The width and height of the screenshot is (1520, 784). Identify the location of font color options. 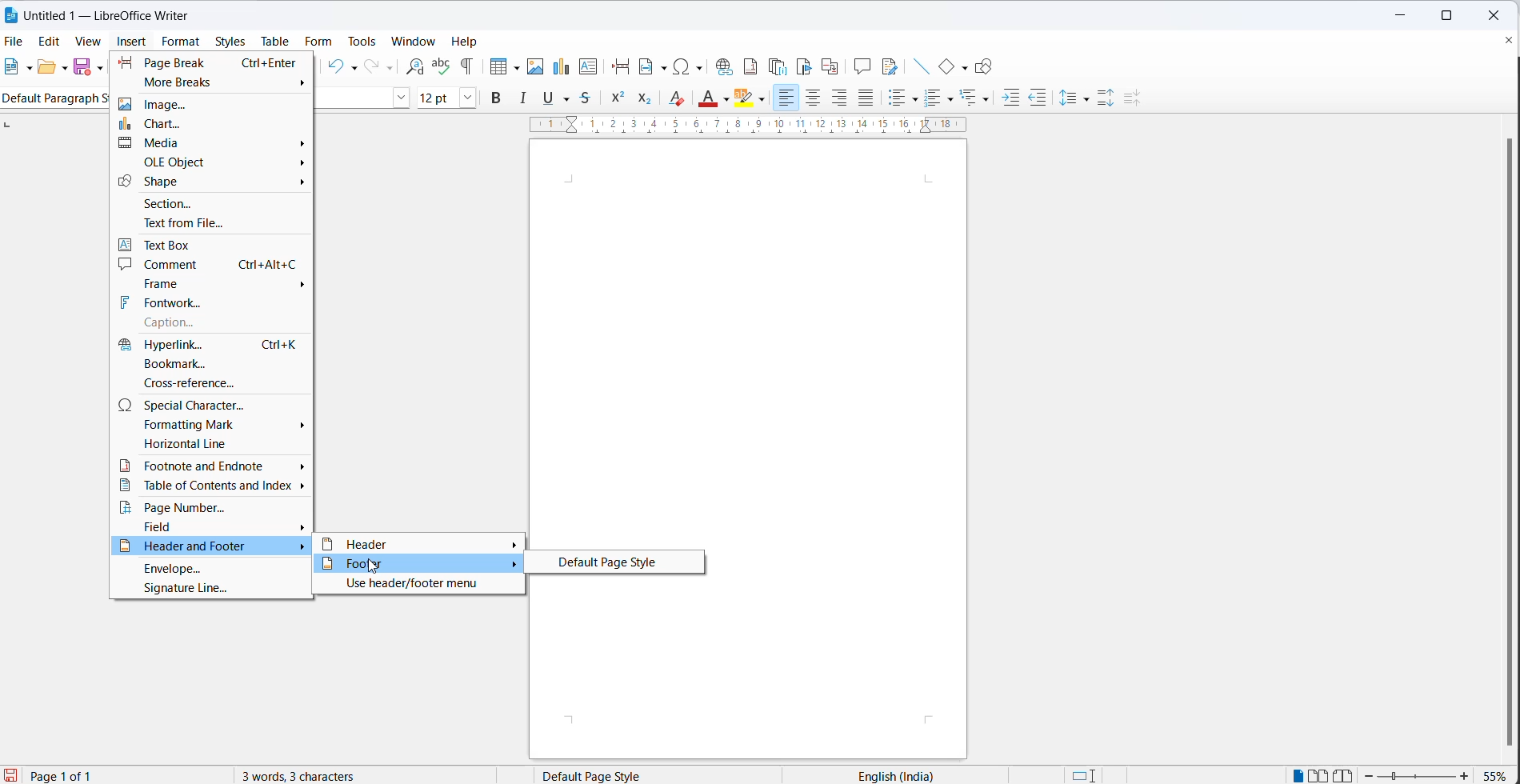
(726, 98).